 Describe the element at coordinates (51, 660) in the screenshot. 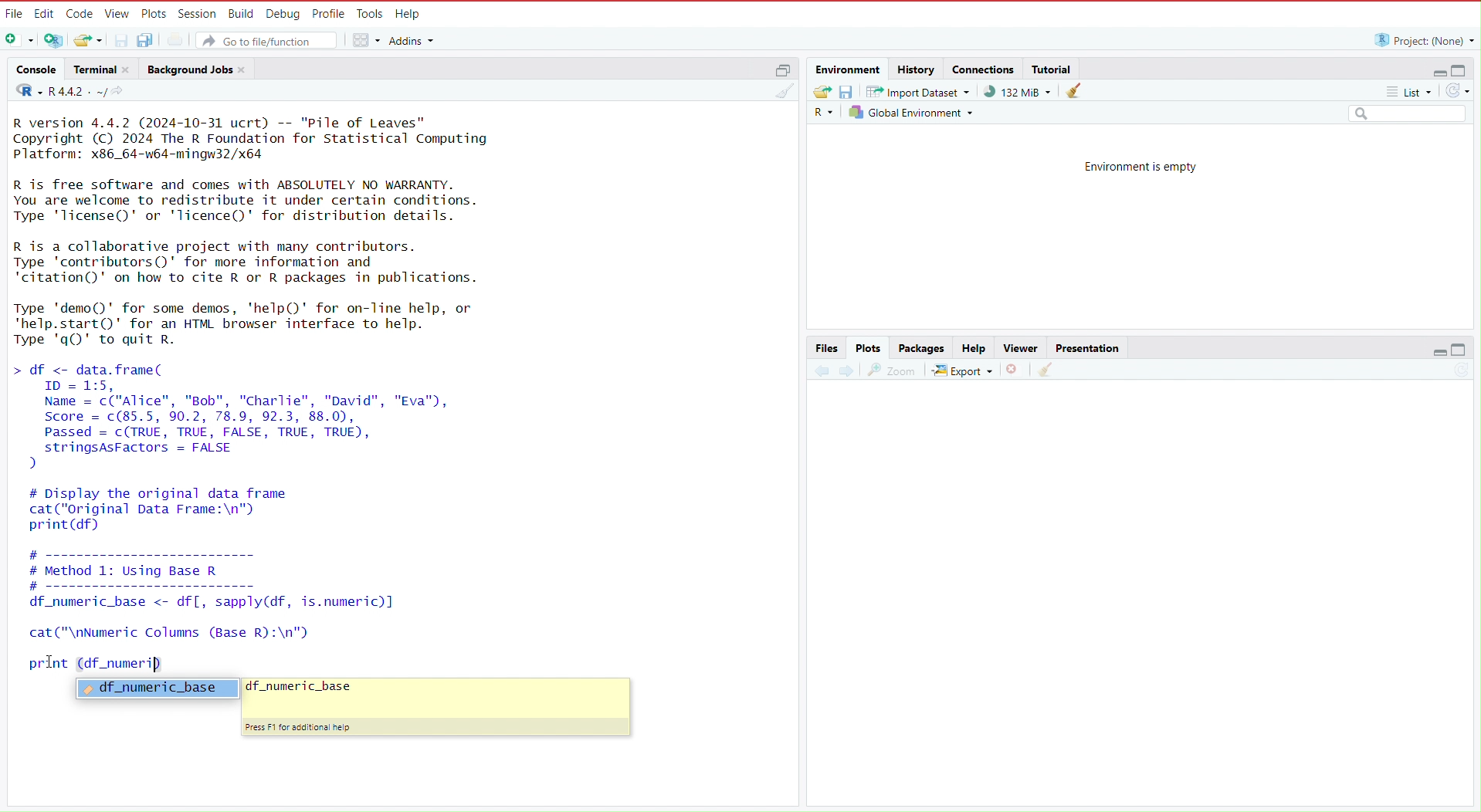

I see `cursor` at that location.